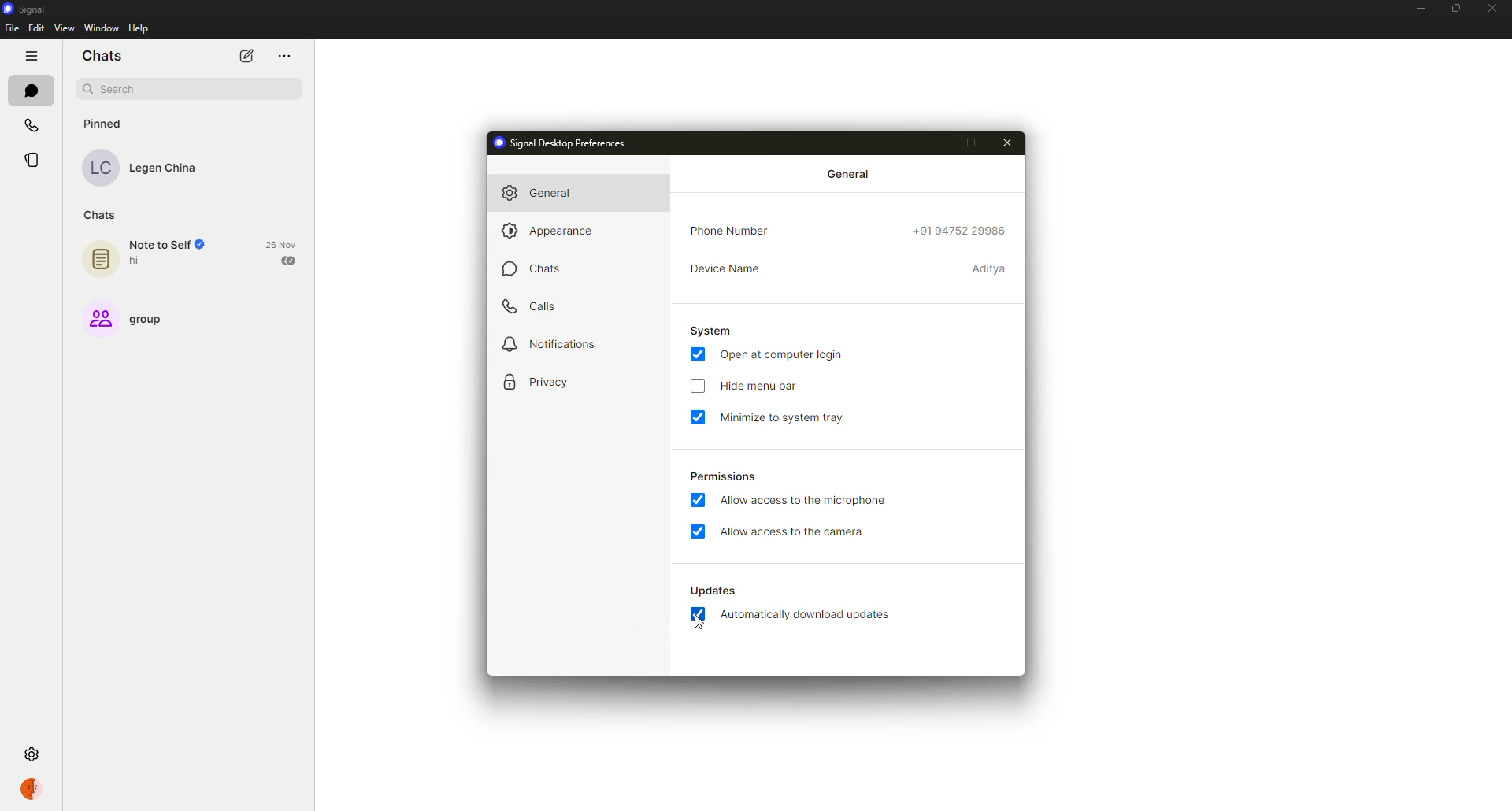 Image resolution: width=1512 pixels, height=811 pixels. Describe the element at coordinates (536, 306) in the screenshot. I see `calls` at that location.